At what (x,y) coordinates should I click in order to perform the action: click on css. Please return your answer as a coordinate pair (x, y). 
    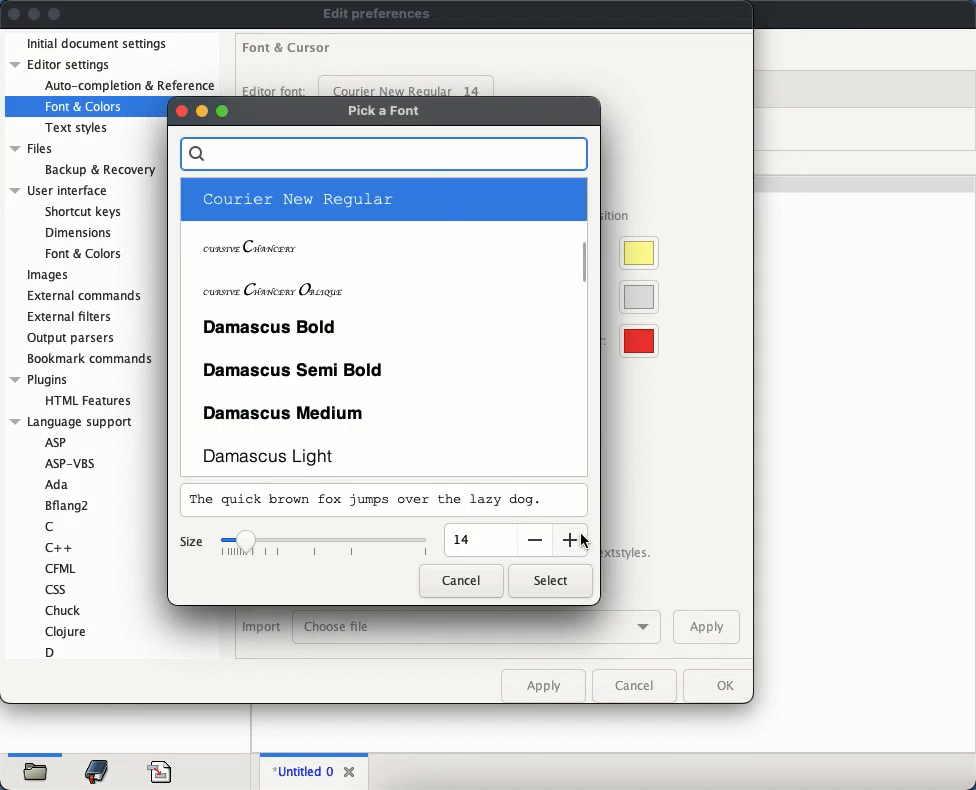
    Looking at the image, I should click on (54, 589).